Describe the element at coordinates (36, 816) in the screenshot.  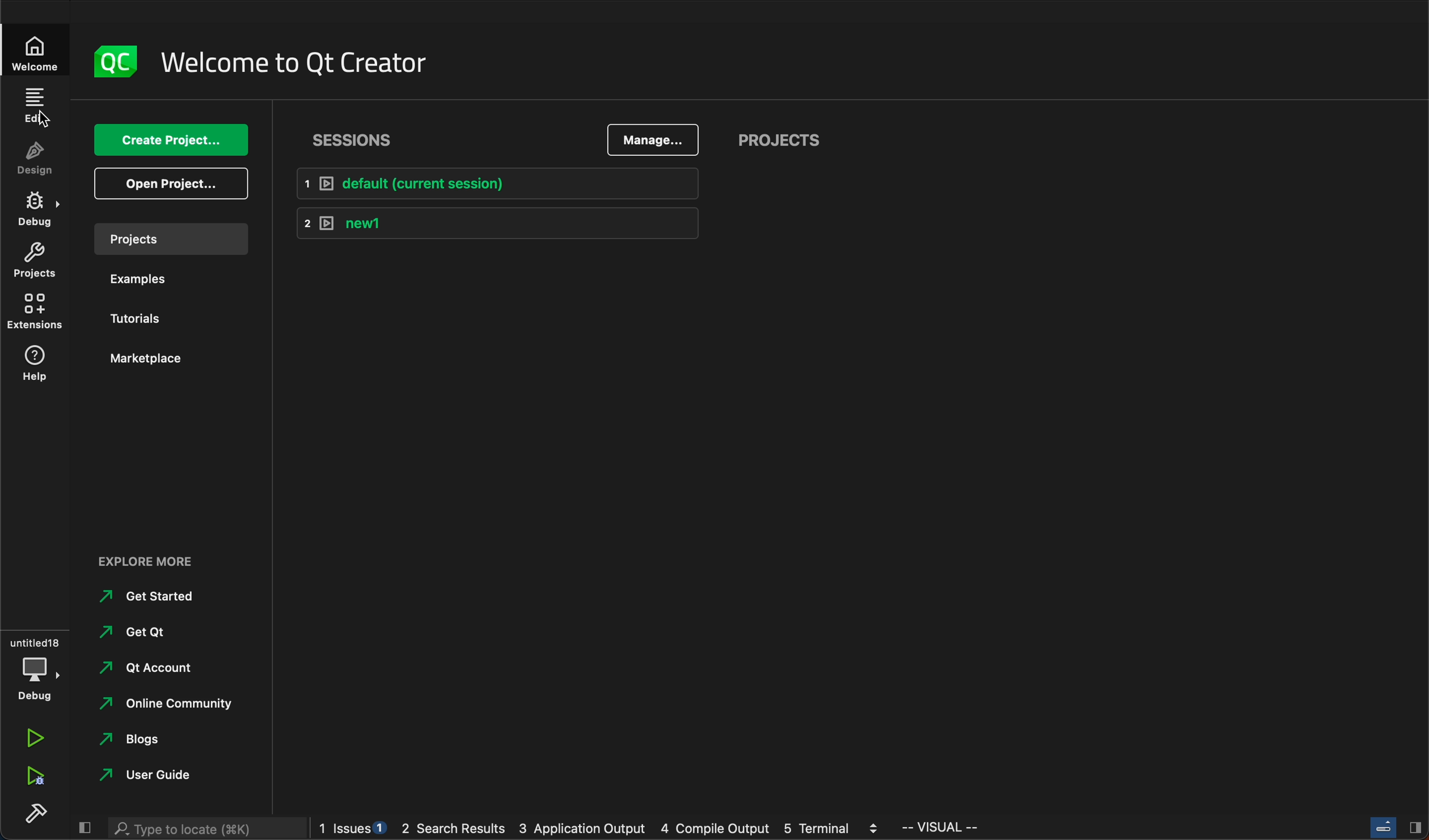
I see `build` at that location.